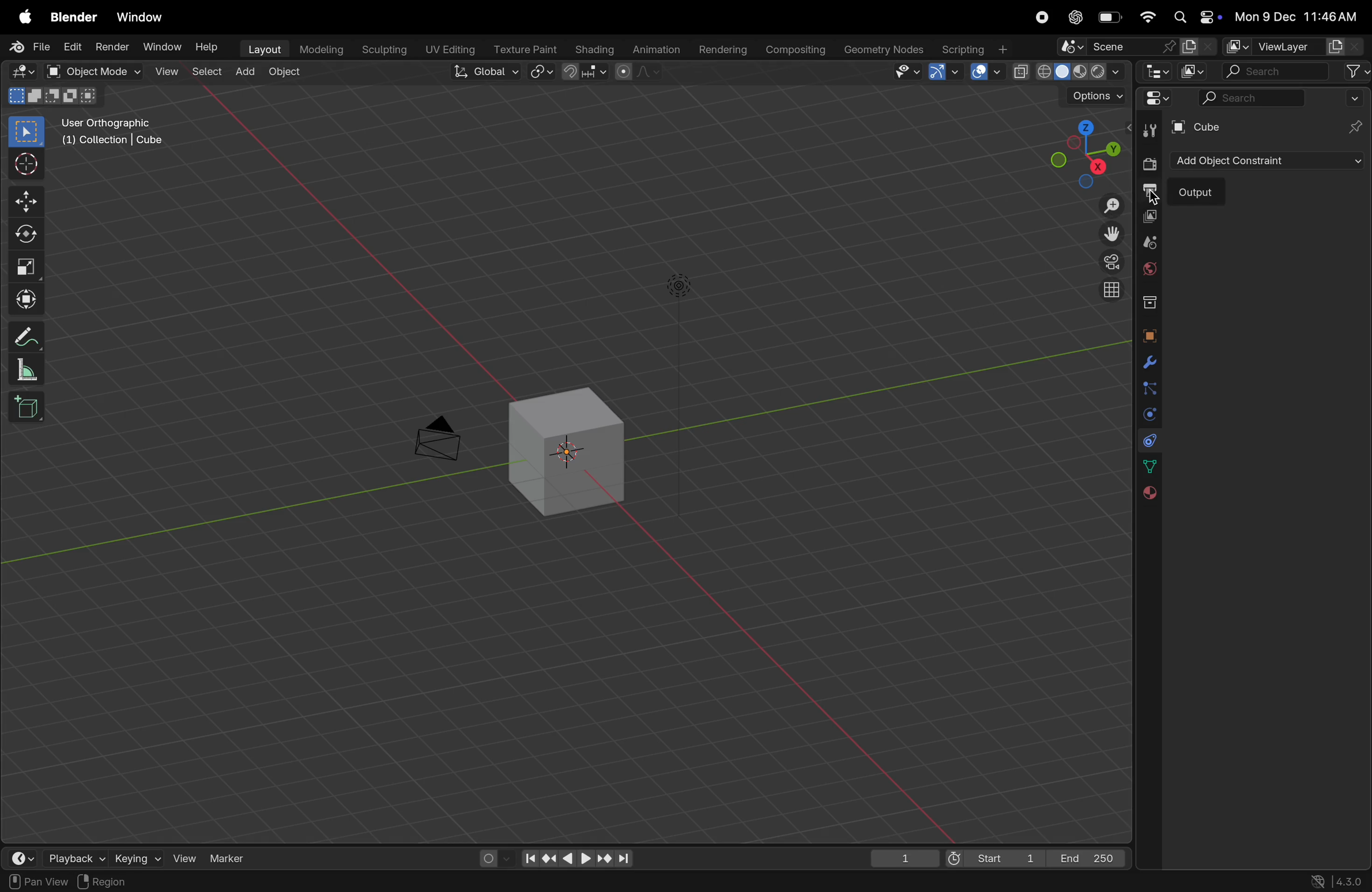 This screenshot has height=892, width=1372. I want to click on move the view, so click(1106, 233).